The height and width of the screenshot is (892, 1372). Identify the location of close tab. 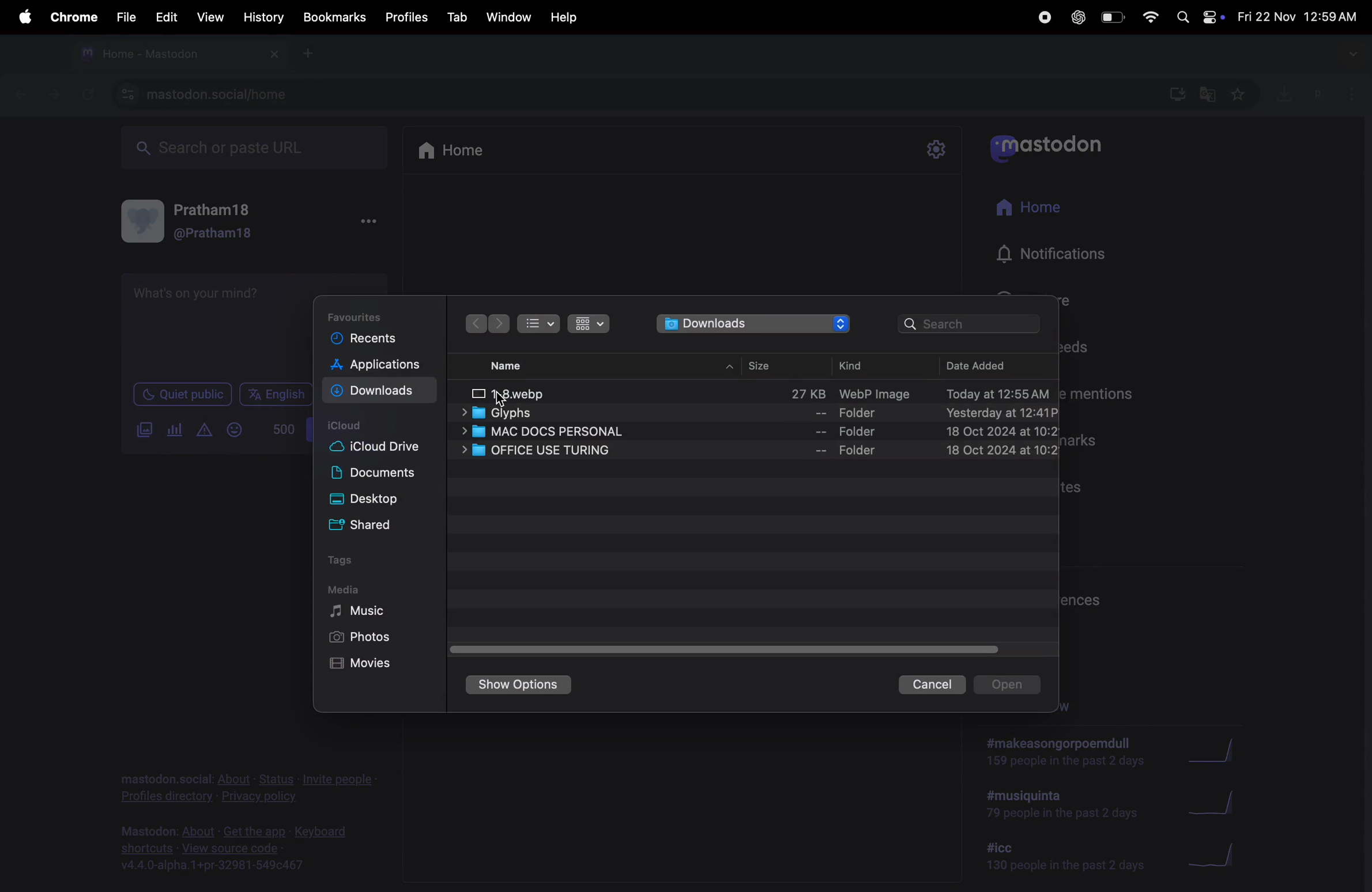
(277, 54).